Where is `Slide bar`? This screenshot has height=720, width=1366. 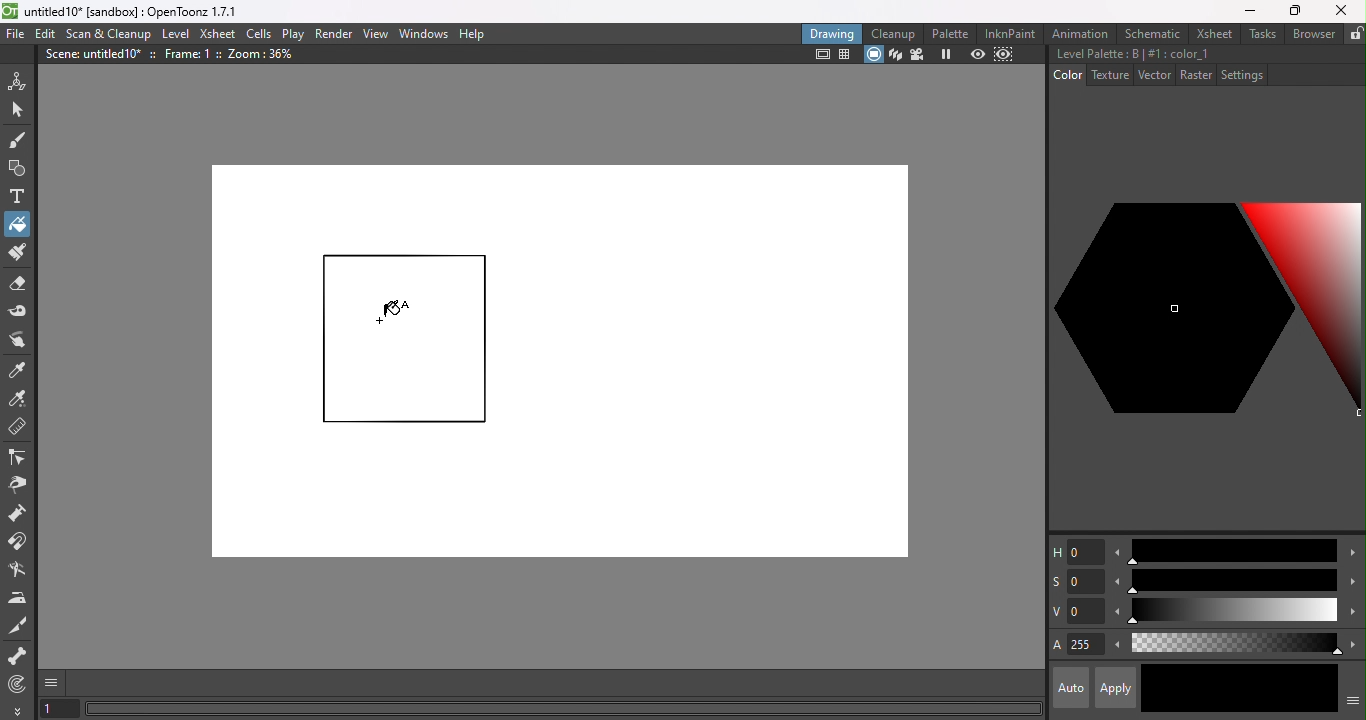
Slide bar is located at coordinates (1232, 612).